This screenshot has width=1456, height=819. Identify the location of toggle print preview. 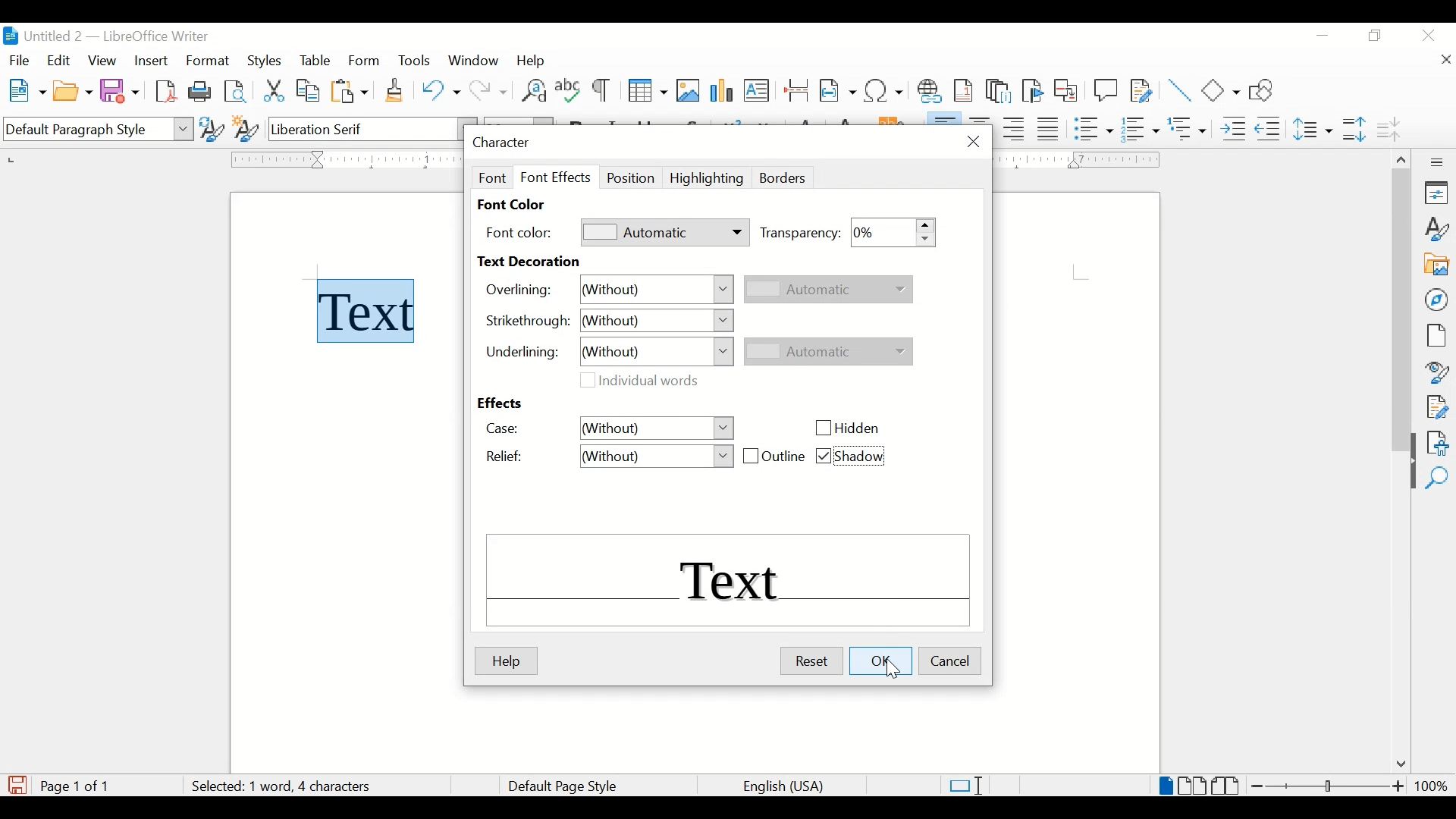
(237, 91).